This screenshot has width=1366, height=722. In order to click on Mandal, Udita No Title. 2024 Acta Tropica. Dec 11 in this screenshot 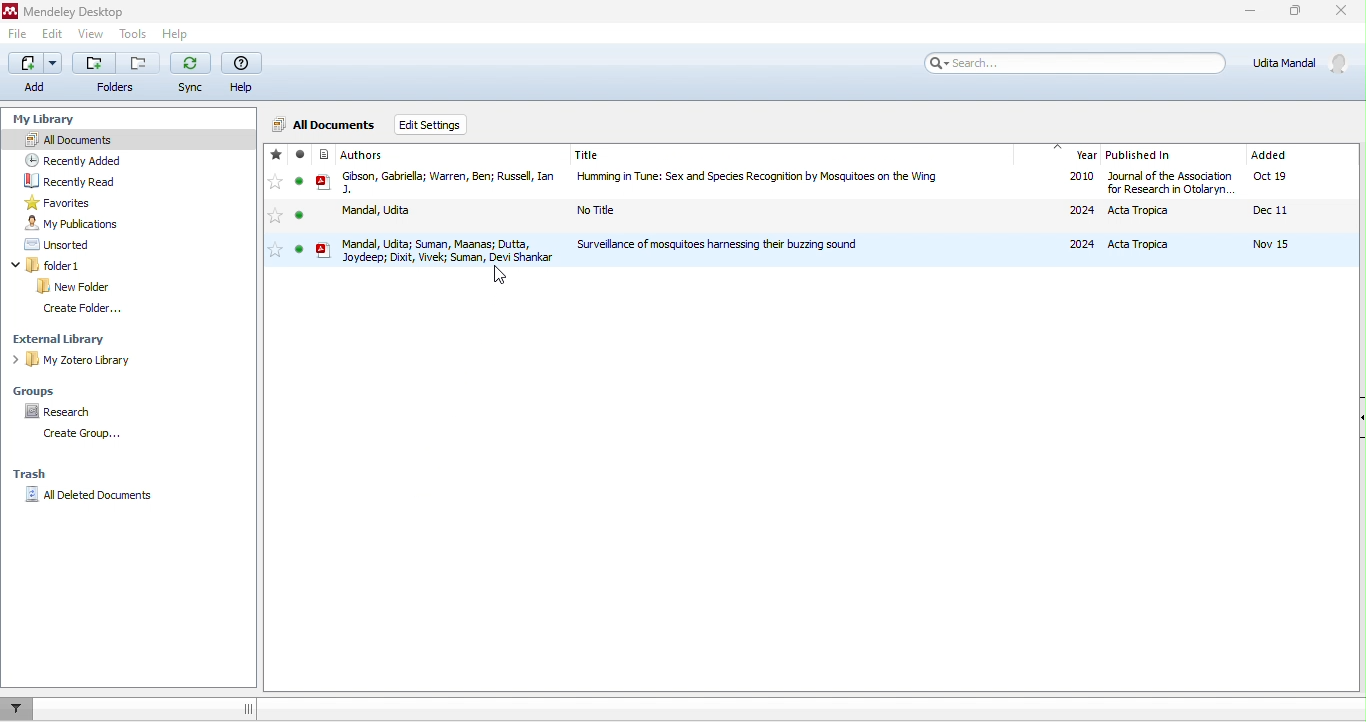, I will do `click(813, 212)`.